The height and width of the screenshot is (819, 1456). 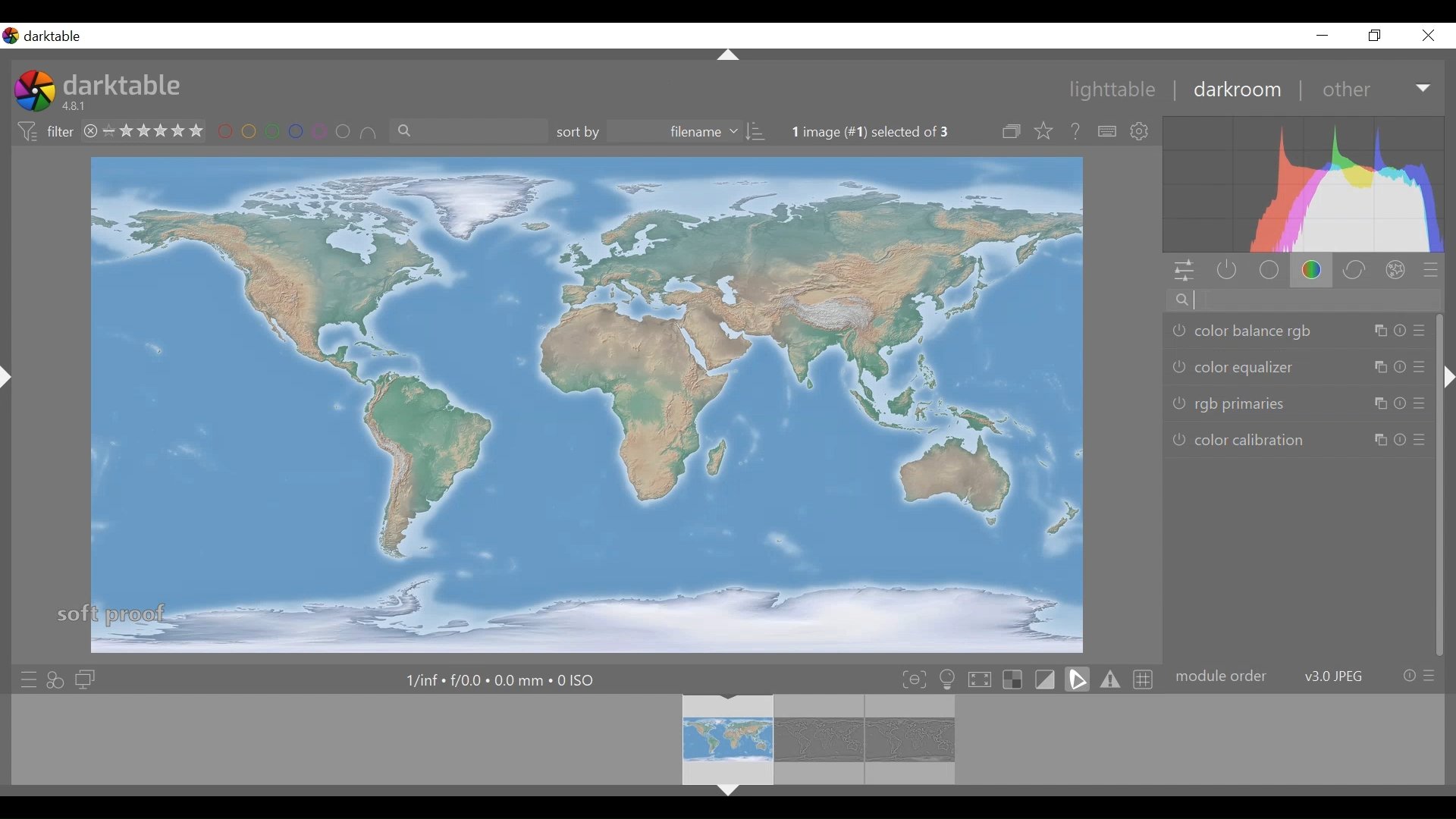 What do you see at coordinates (502, 679) in the screenshot?
I see `Maximum Exposure` at bounding box center [502, 679].